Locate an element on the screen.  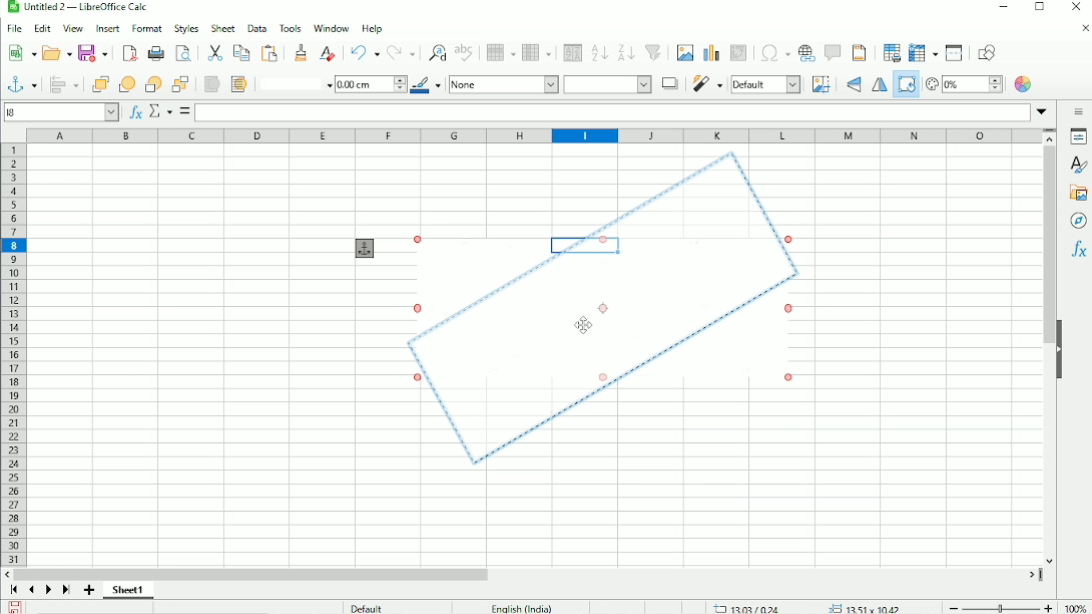
Headers and footers is located at coordinates (860, 52).